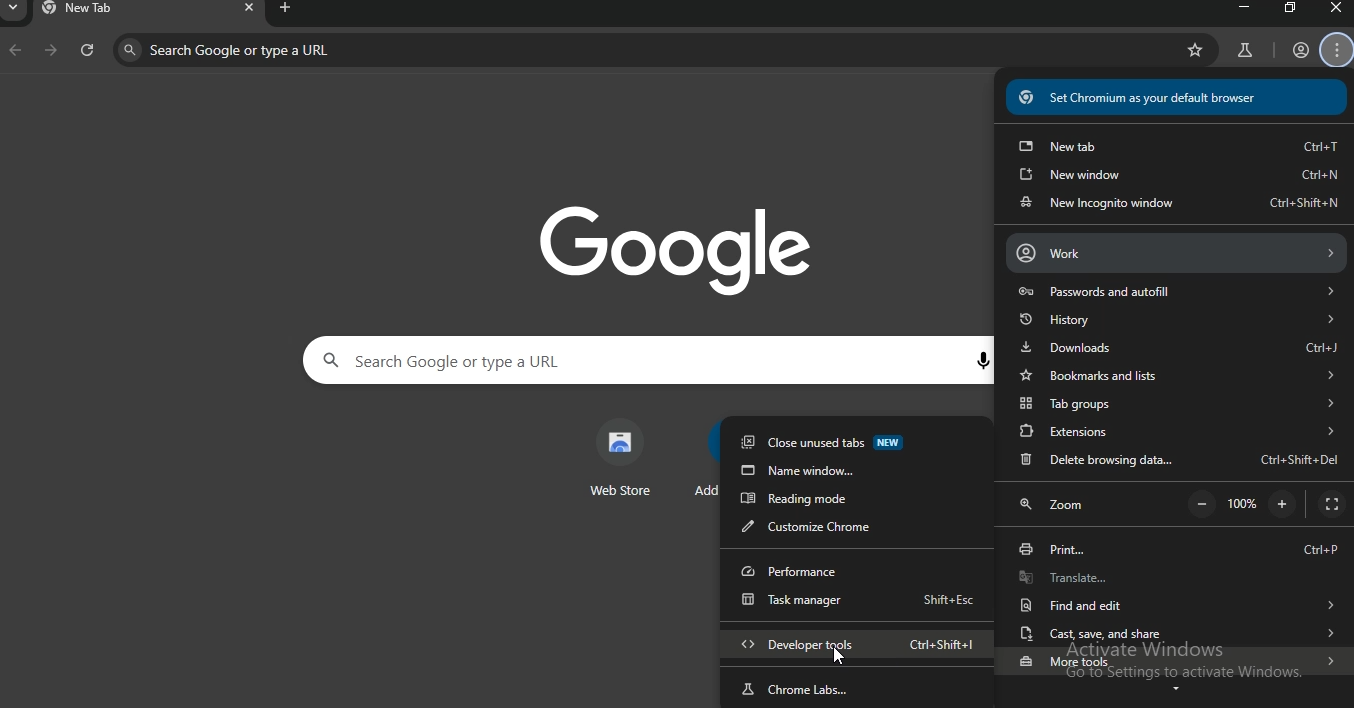  Describe the element at coordinates (856, 472) in the screenshot. I see `name window` at that location.